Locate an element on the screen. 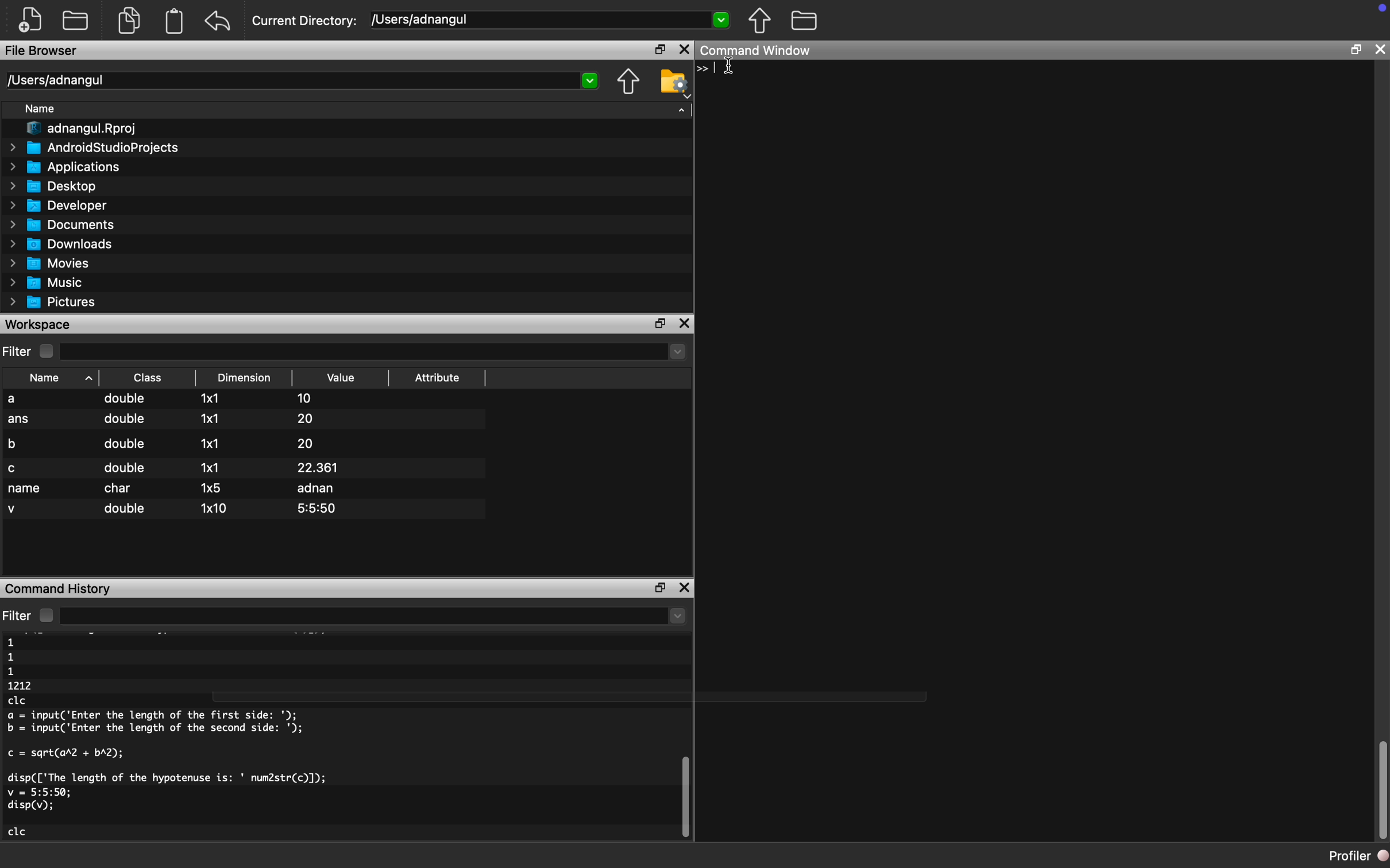 The image size is (1390, 868). Attribute is located at coordinates (436, 377).